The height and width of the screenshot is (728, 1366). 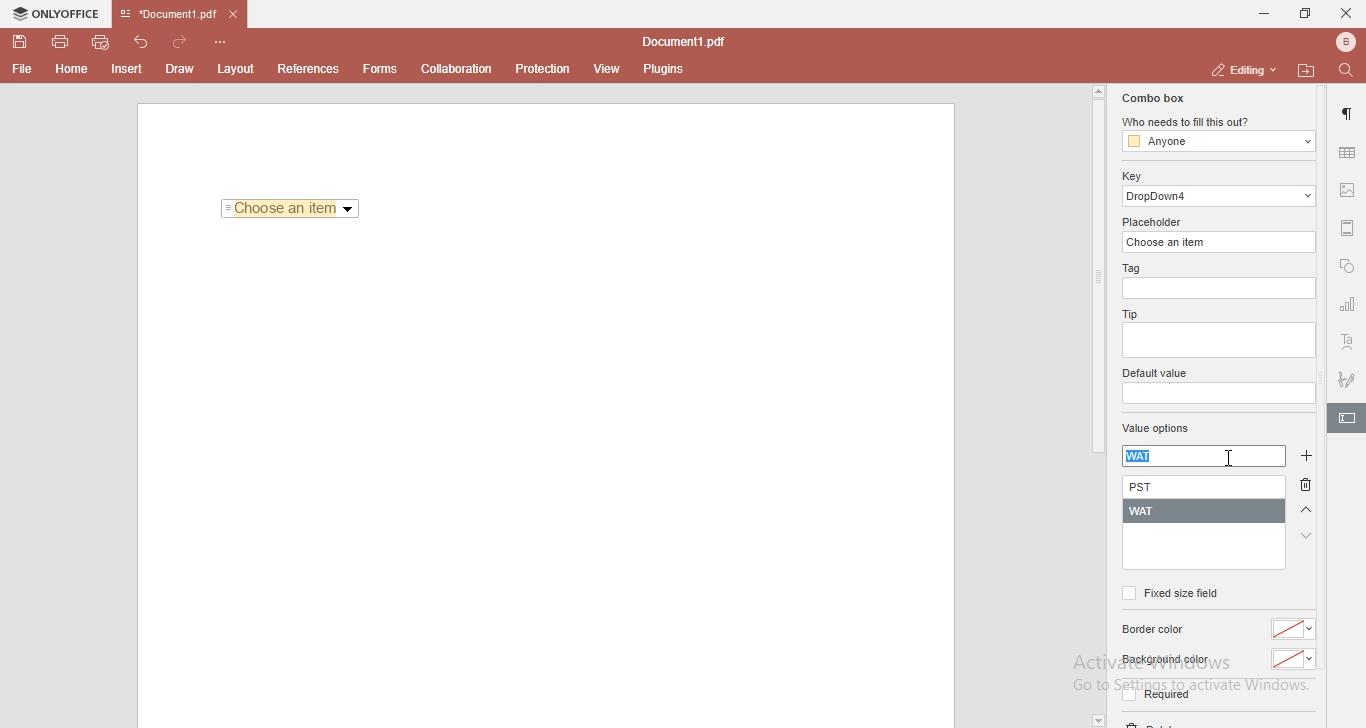 I want to click on collaboration, so click(x=461, y=67).